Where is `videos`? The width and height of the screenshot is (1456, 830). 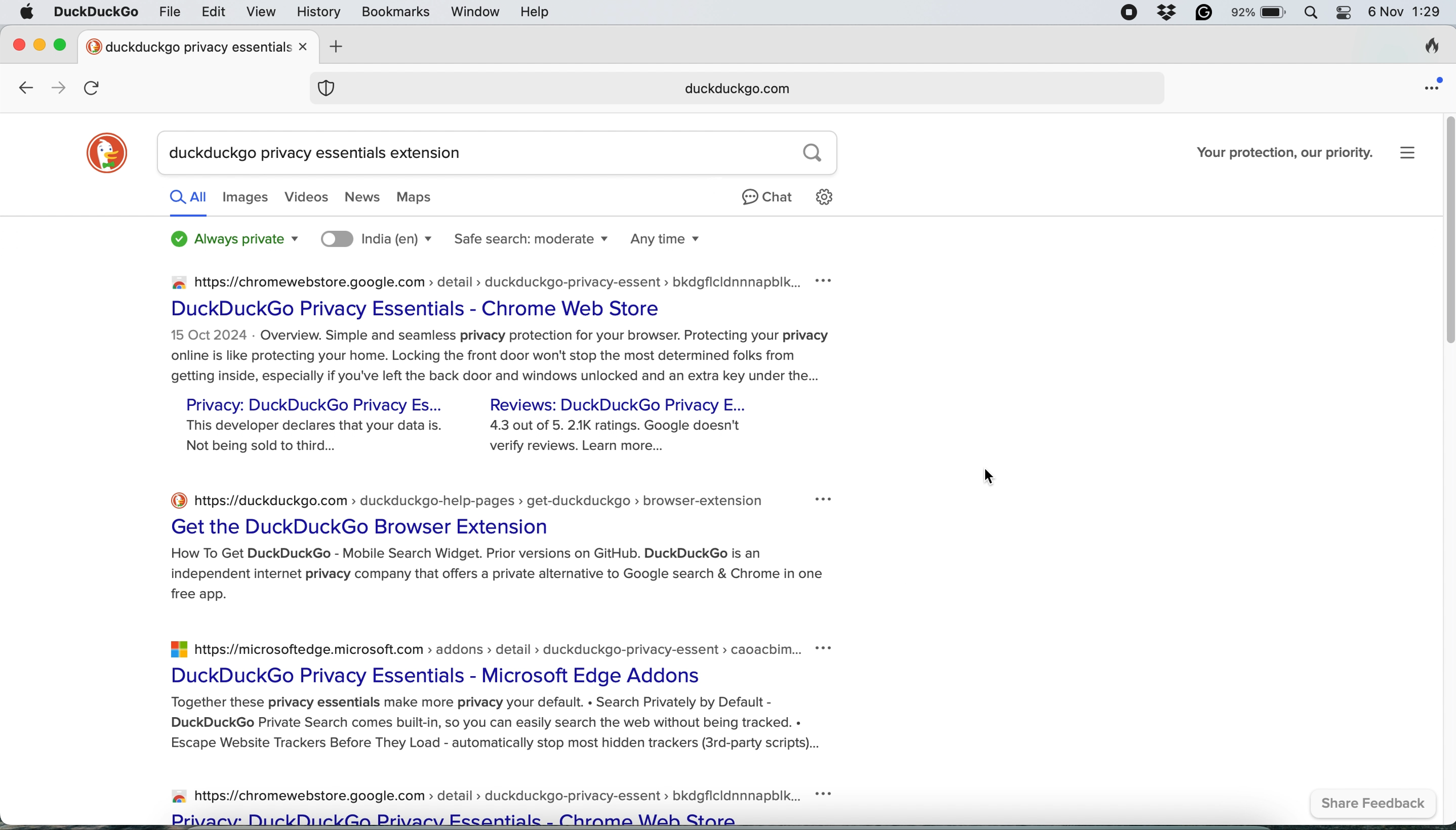 videos is located at coordinates (309, 196).